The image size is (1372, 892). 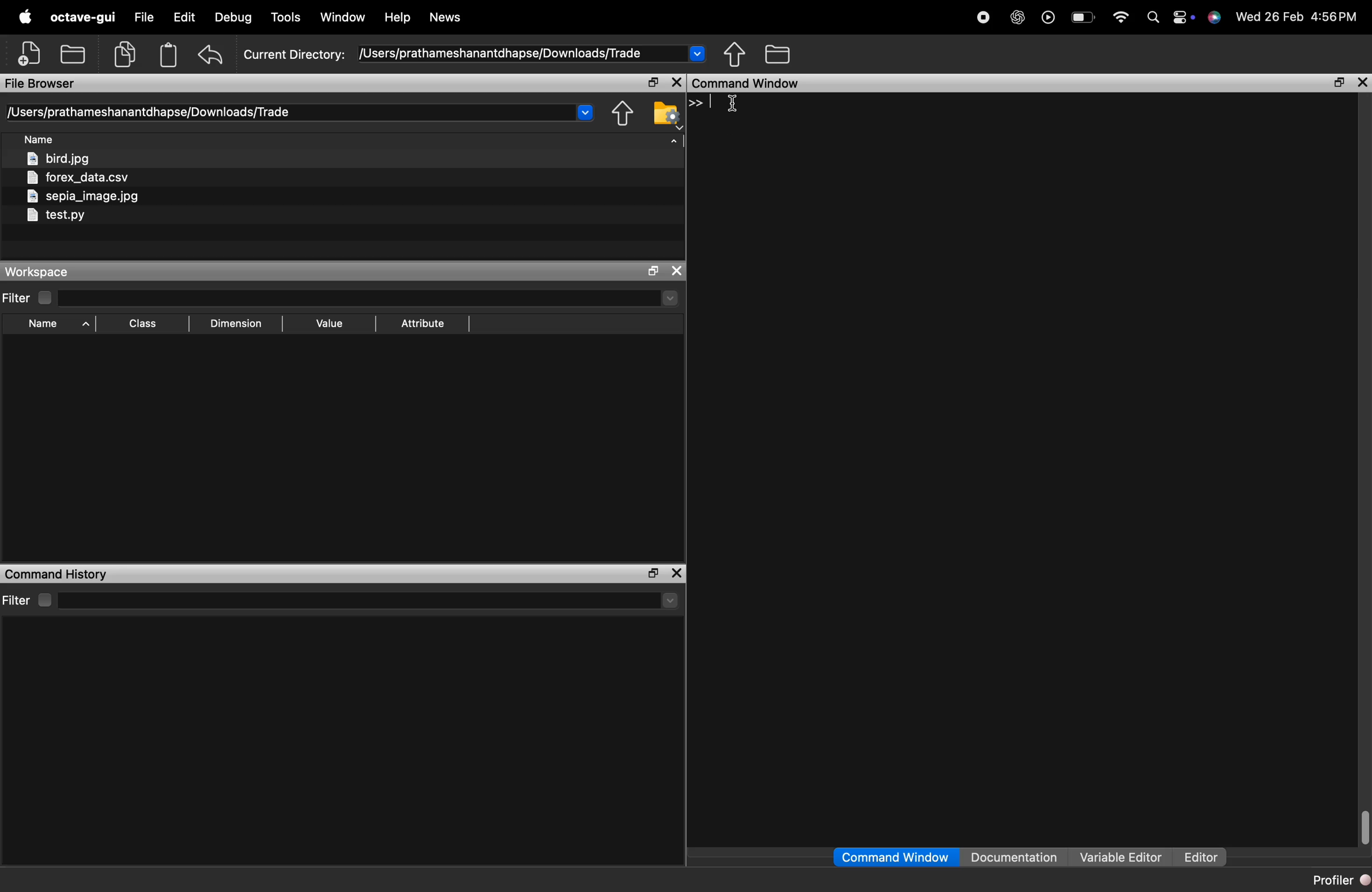 What do you see at coordinates (1016, 858) in the screenshot?
I see `Documentation` at bounding box center [1016, 858].